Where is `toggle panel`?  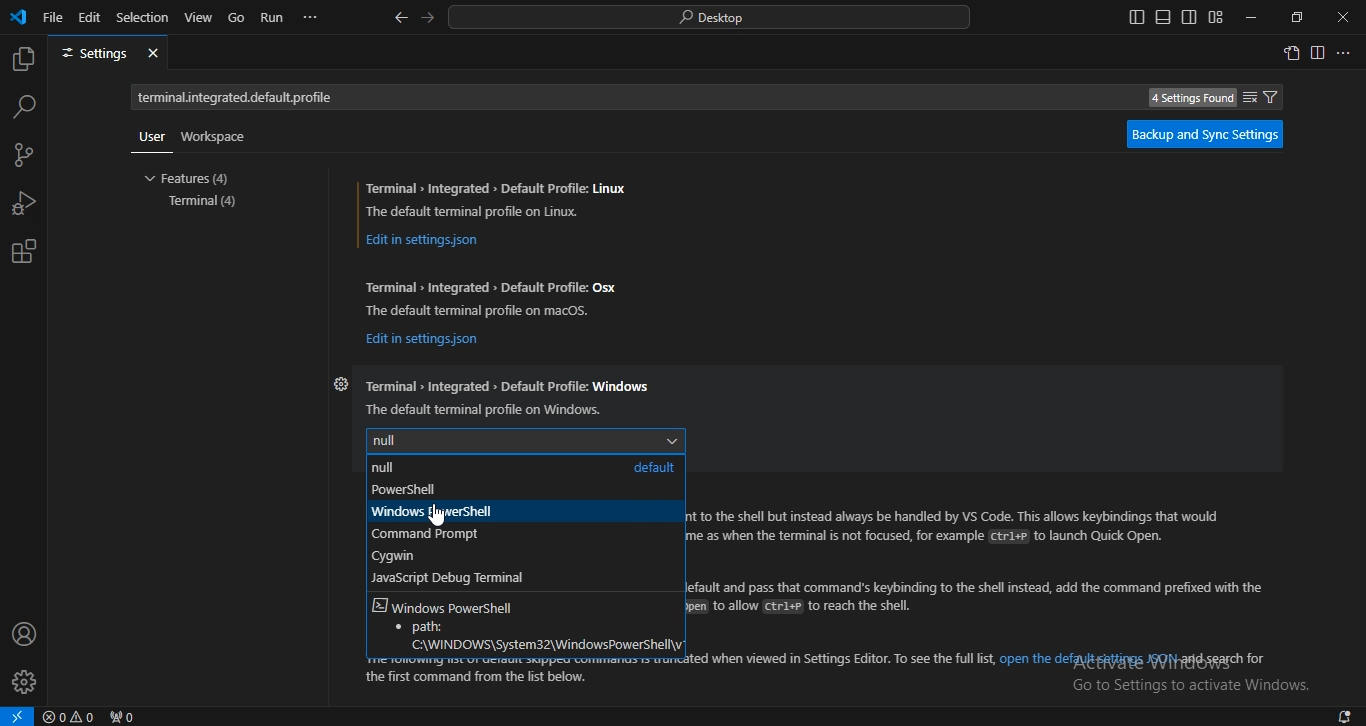 toggle panel is located at coordinates (1162, 17).